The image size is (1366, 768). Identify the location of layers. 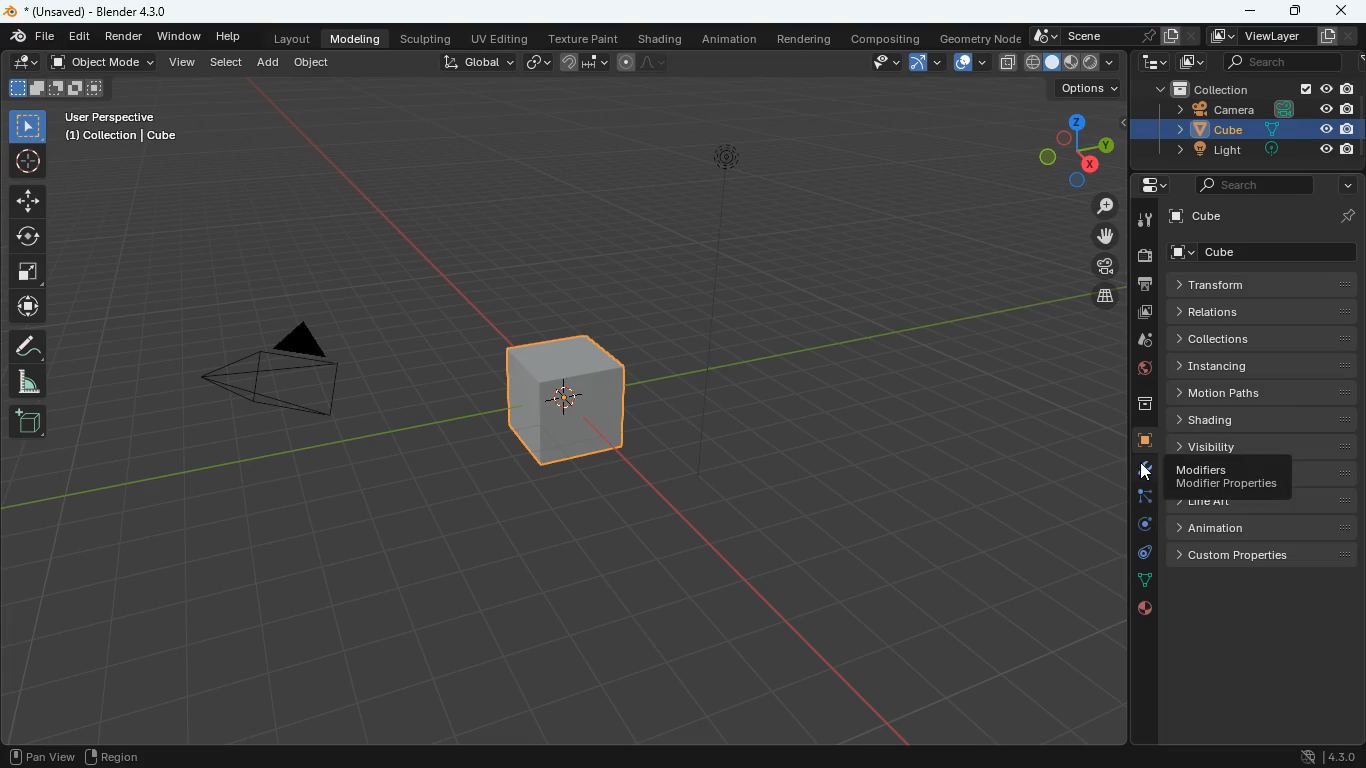
(1106, 295).